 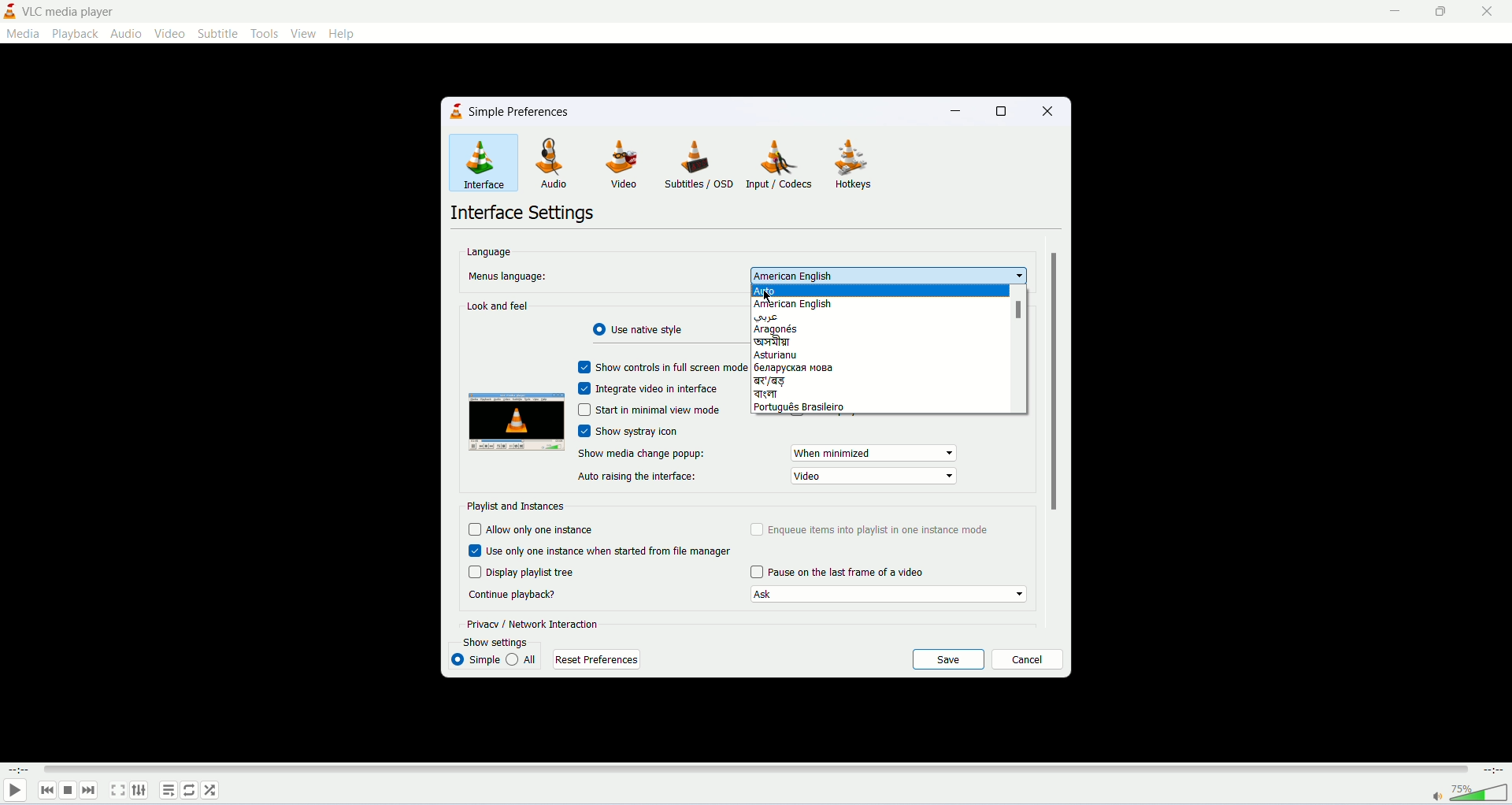 I want to click on maximize, so click(x=1440, y=14).